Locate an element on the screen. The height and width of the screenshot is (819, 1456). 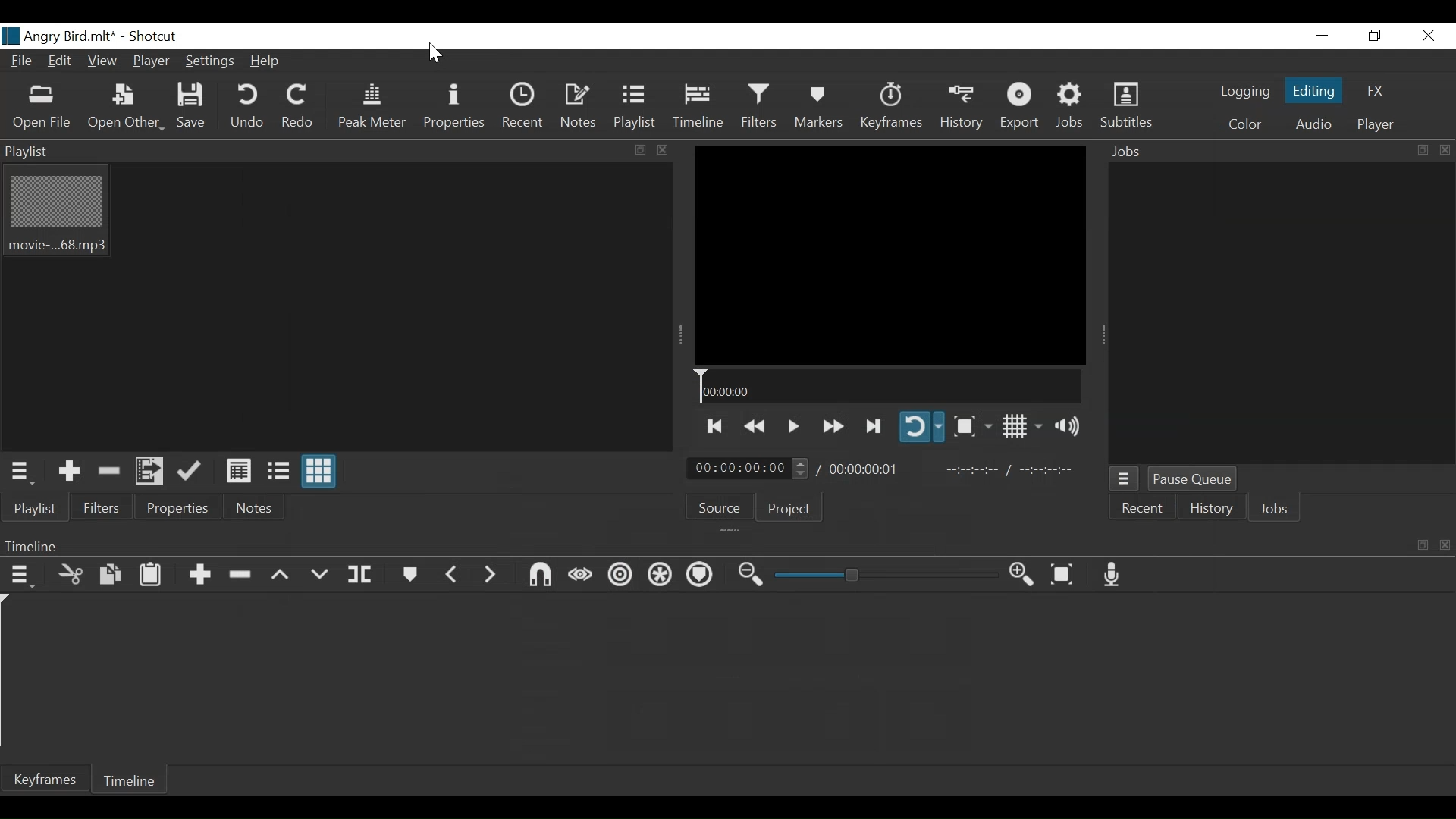
Add file to the playlist is located at coordinates (152, 472).